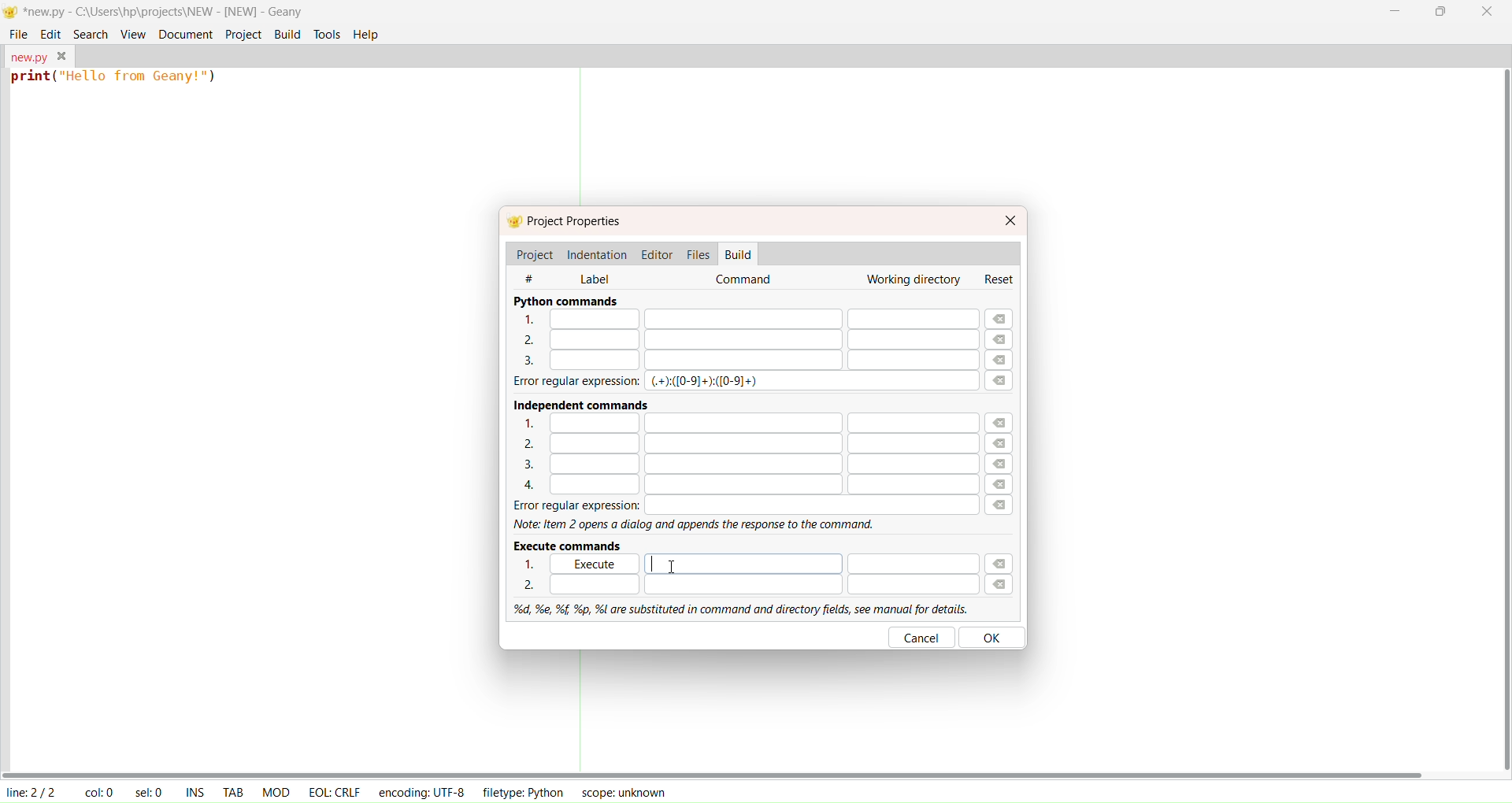 The image size is (1512, 803). Describe the element at coordinates (922, 637) in the screenshot. I see `cancel` at that location.